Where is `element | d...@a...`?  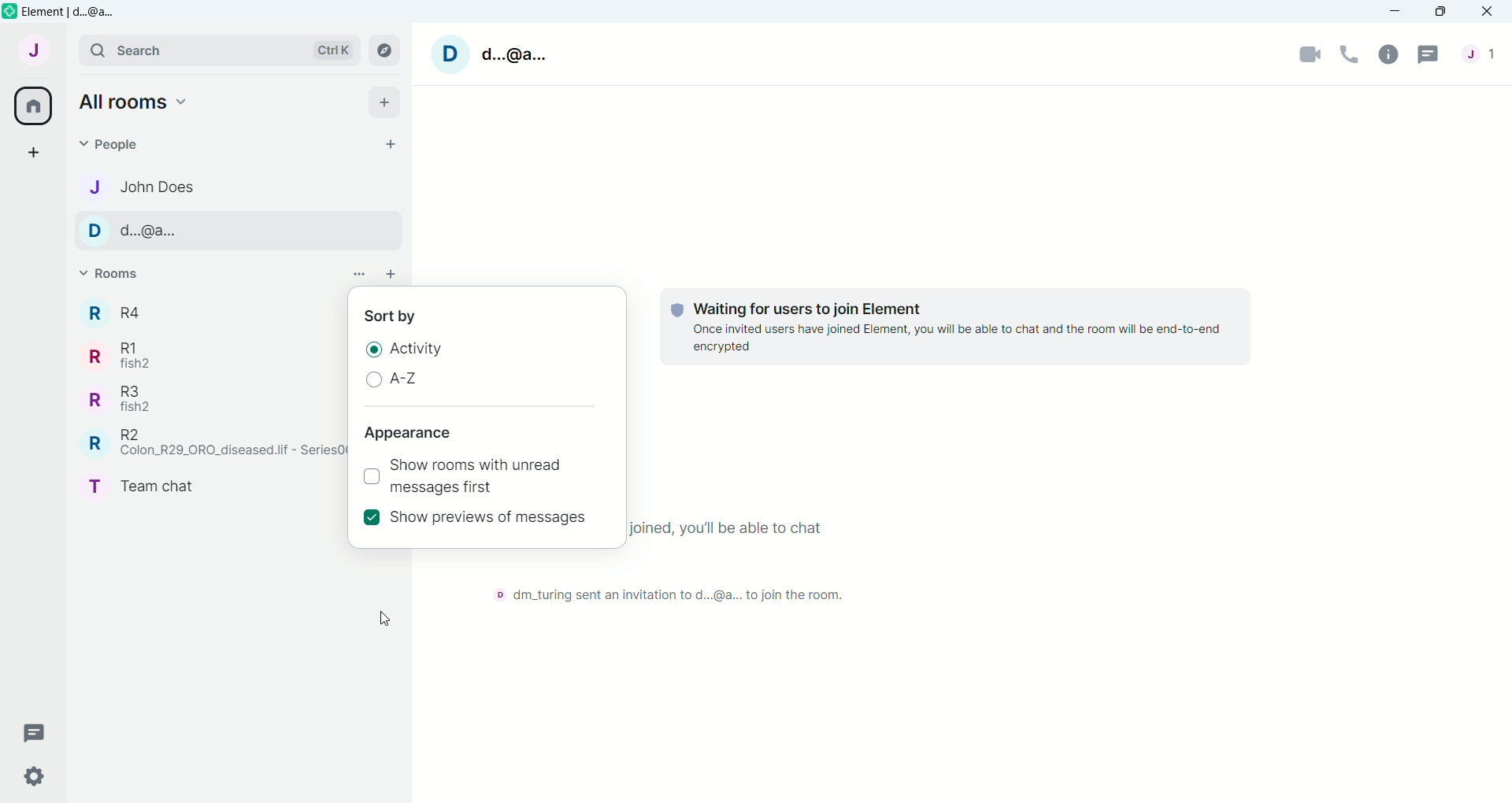 element | d...@a... is located at coordinates (76, 11).